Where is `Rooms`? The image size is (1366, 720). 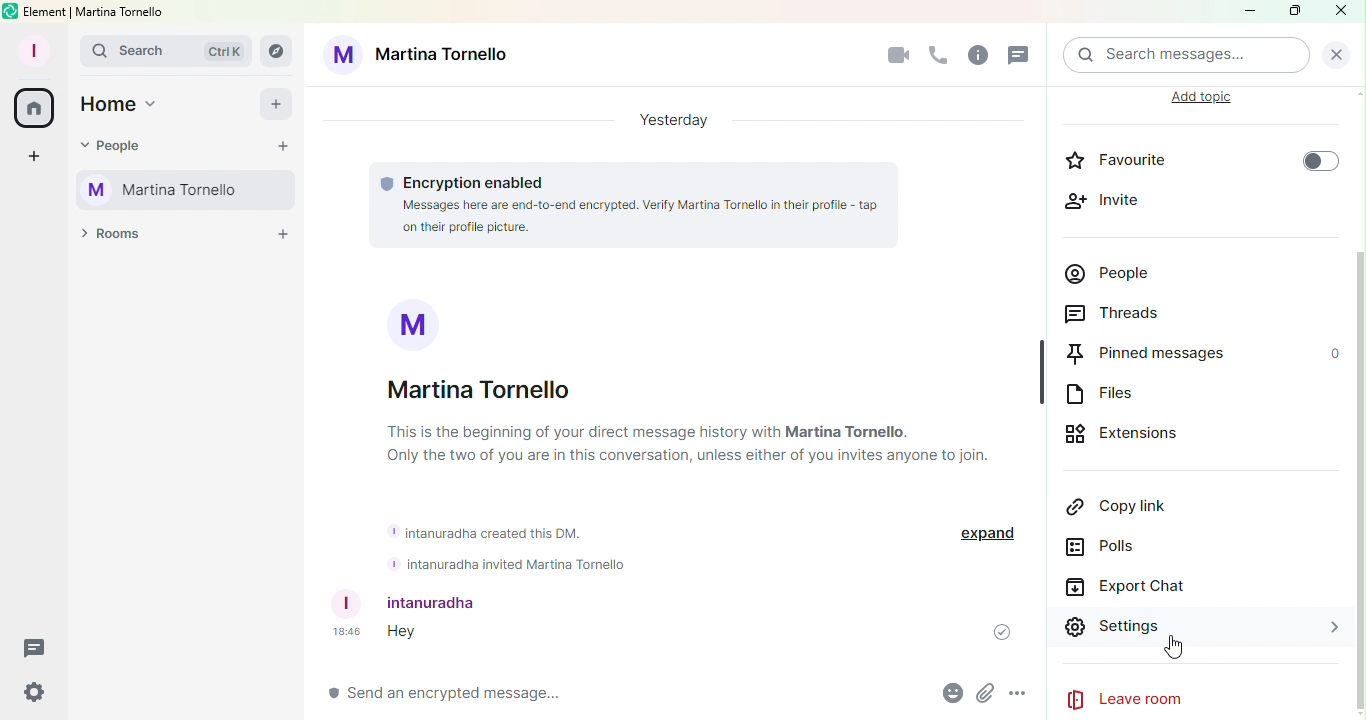
Rooms is located at coordinates (108, 235).